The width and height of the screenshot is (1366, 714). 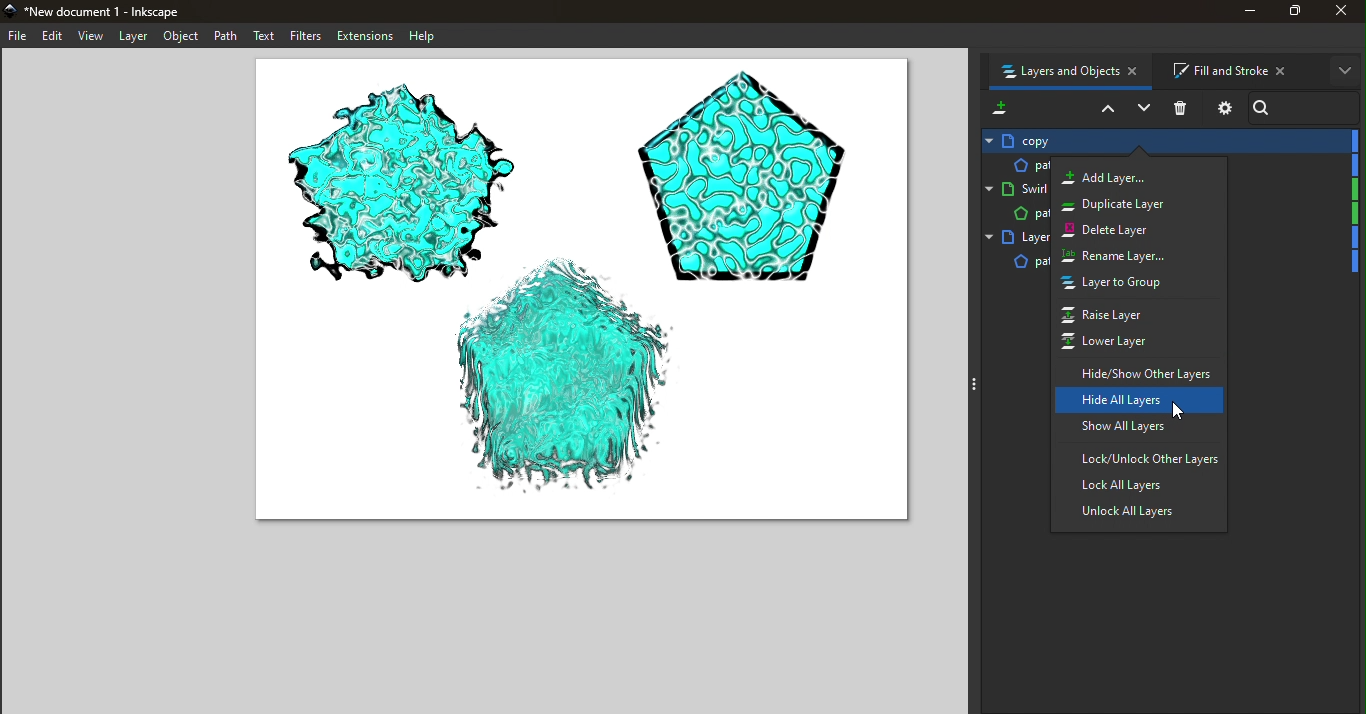 What do you see at coordinates (1013, 261) in the screenshot?
I see `Layer` at bounding box center [1013, 261].